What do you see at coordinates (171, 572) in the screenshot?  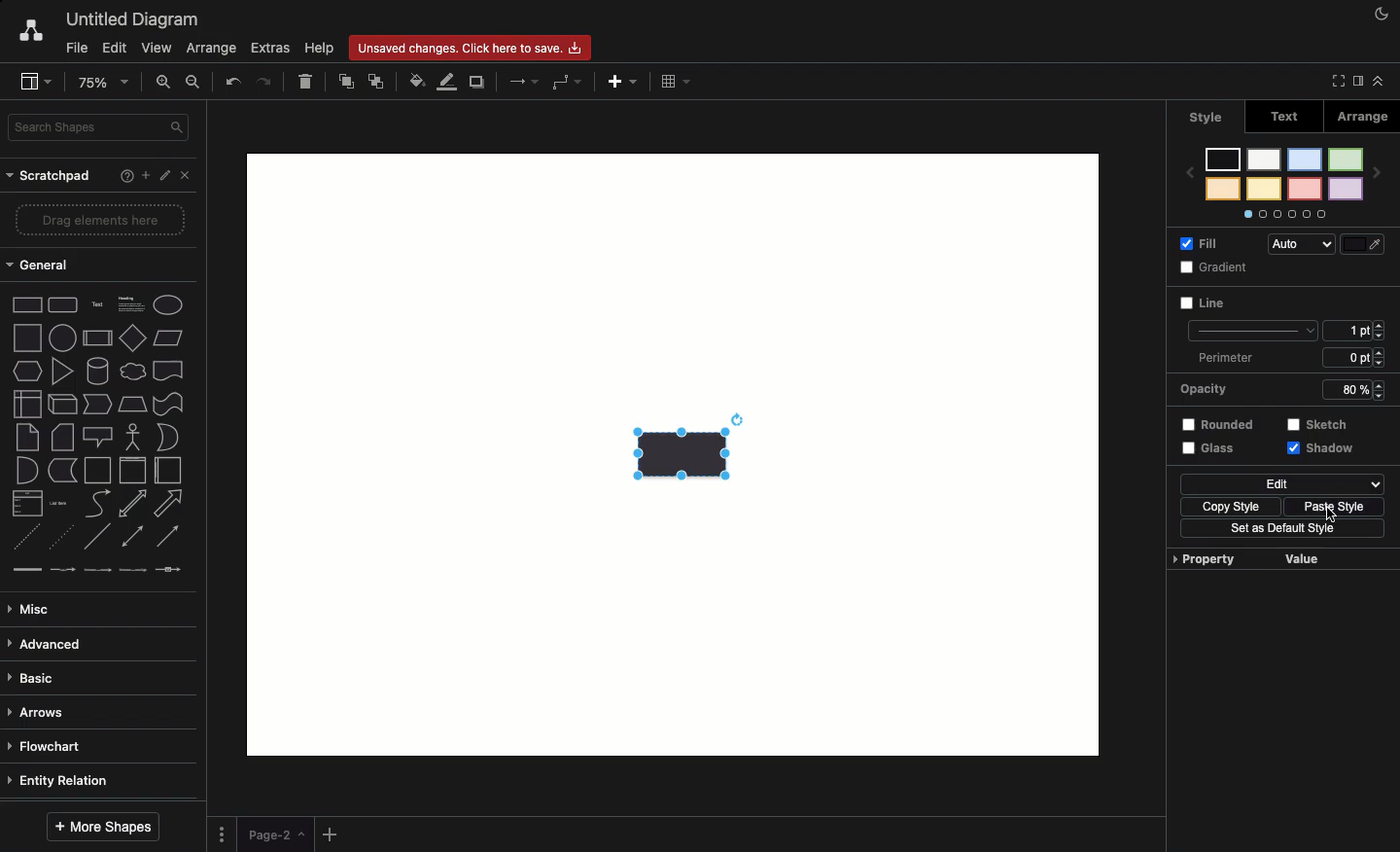 I see `connector with symbol` at bounding box center [171, 572].